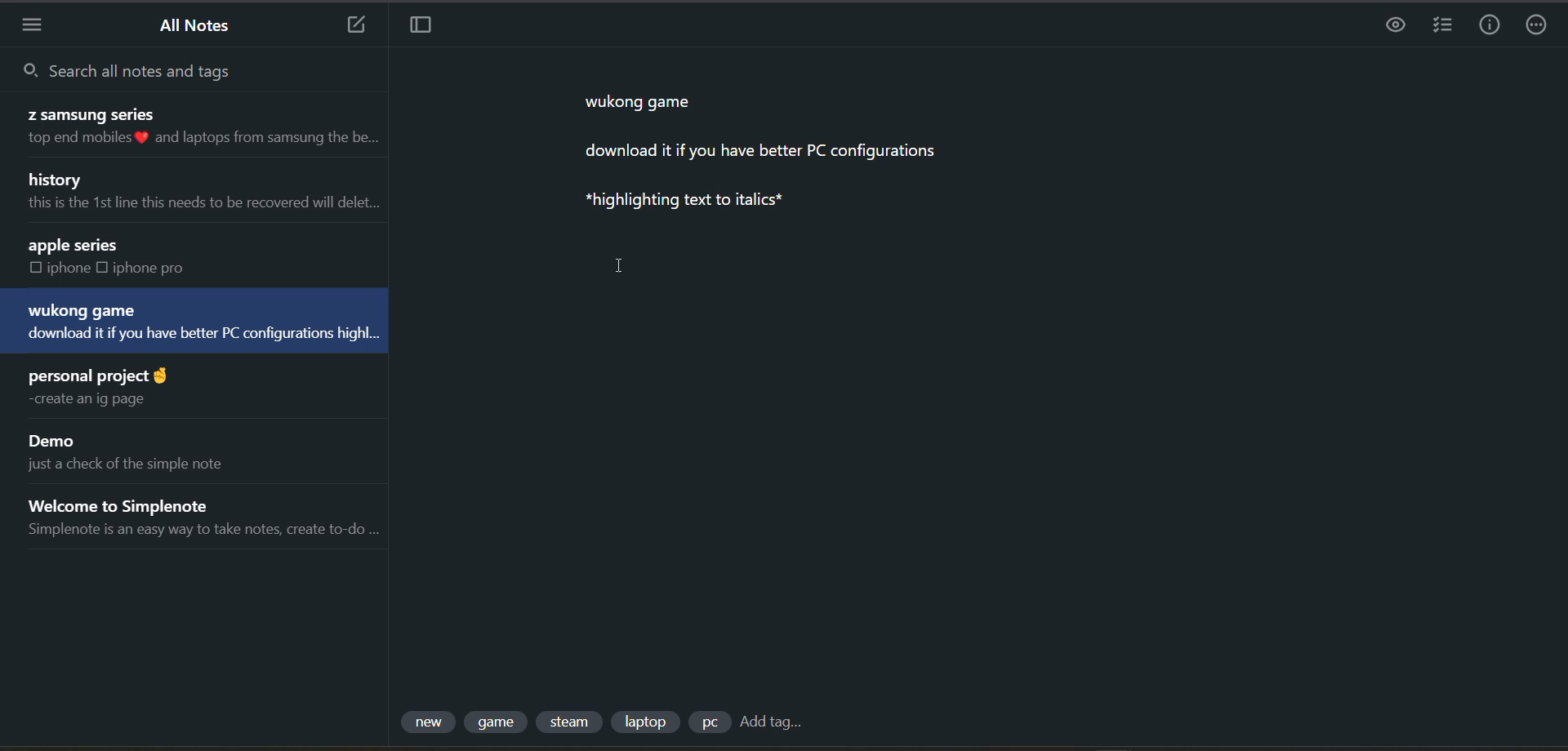 This screenshot has height=751, width=1568. What do you see at coordinates (122, 256) in the screenshot?
I see `note title and preview` at bounding box center [122, 256].